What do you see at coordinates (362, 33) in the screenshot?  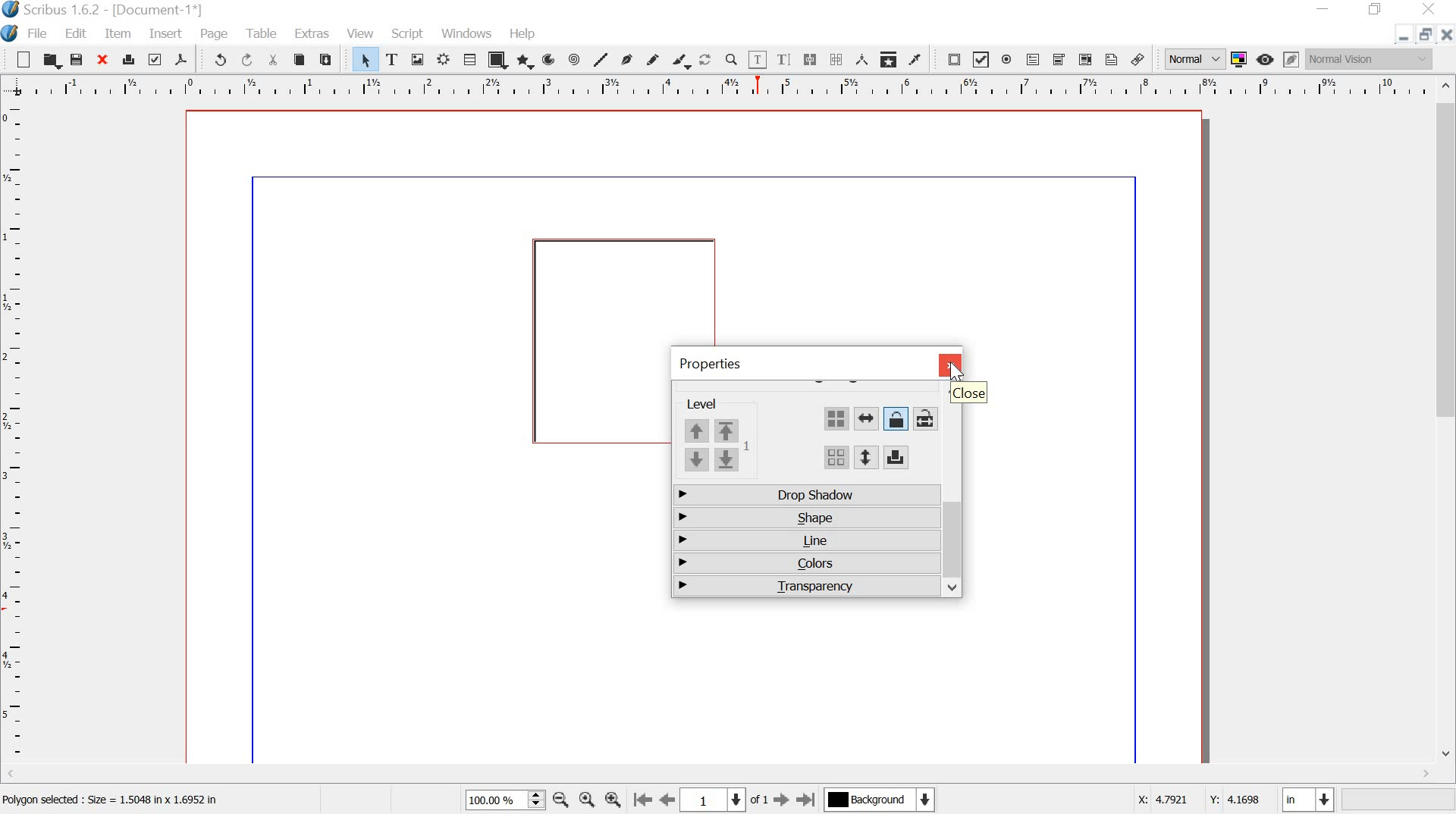 I see `view` at bounding box center [362, 33].